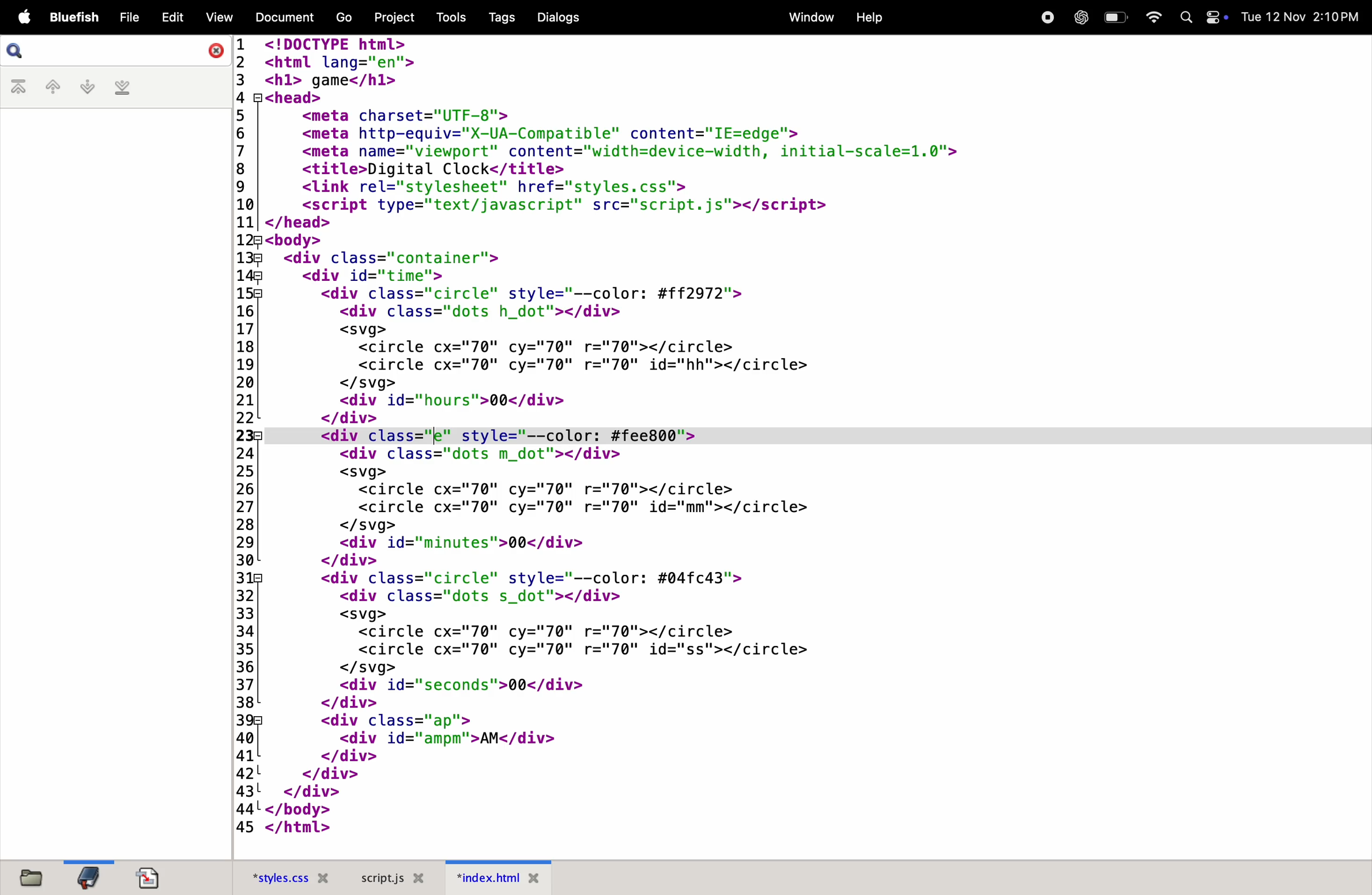 This screenshot has height=895, width=1372. What do you see at coordinates (74, 18) in the screenshot?
I see `bluefish` at bounding box center [74, 18].